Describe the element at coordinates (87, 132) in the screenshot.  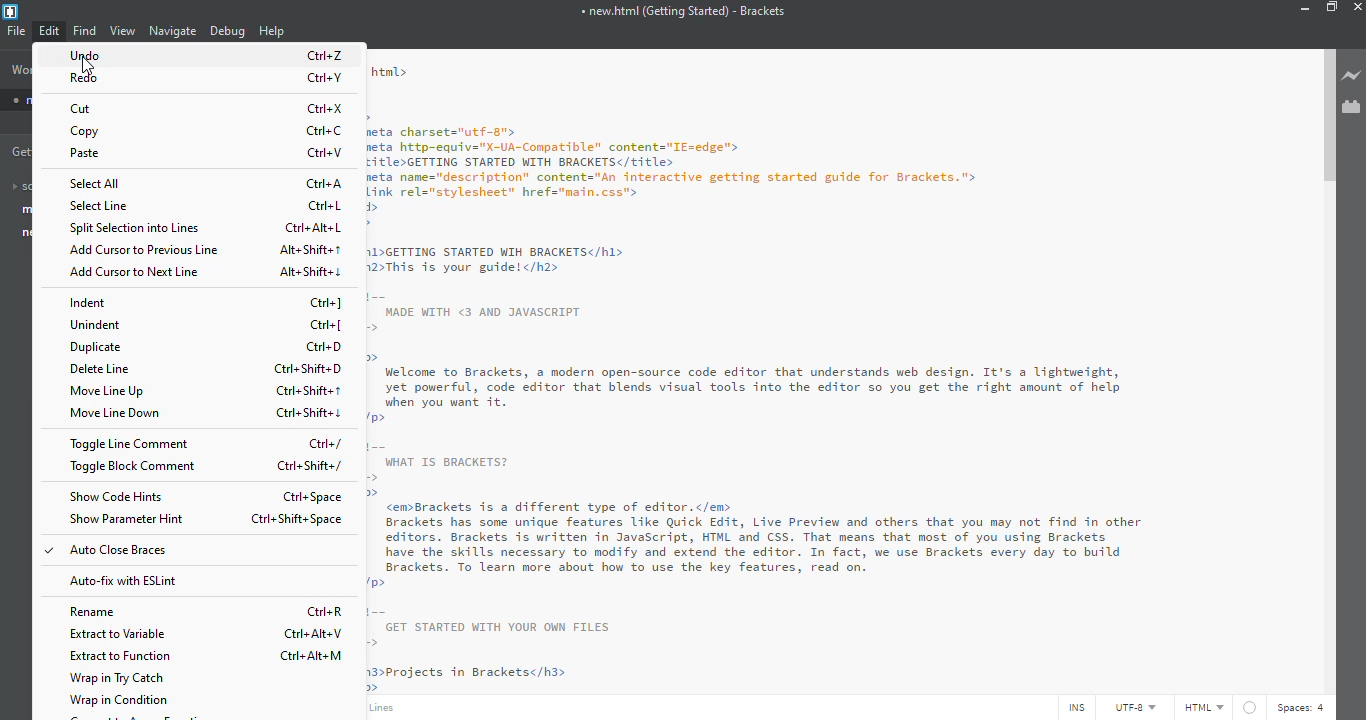
I see `copy` at that location.